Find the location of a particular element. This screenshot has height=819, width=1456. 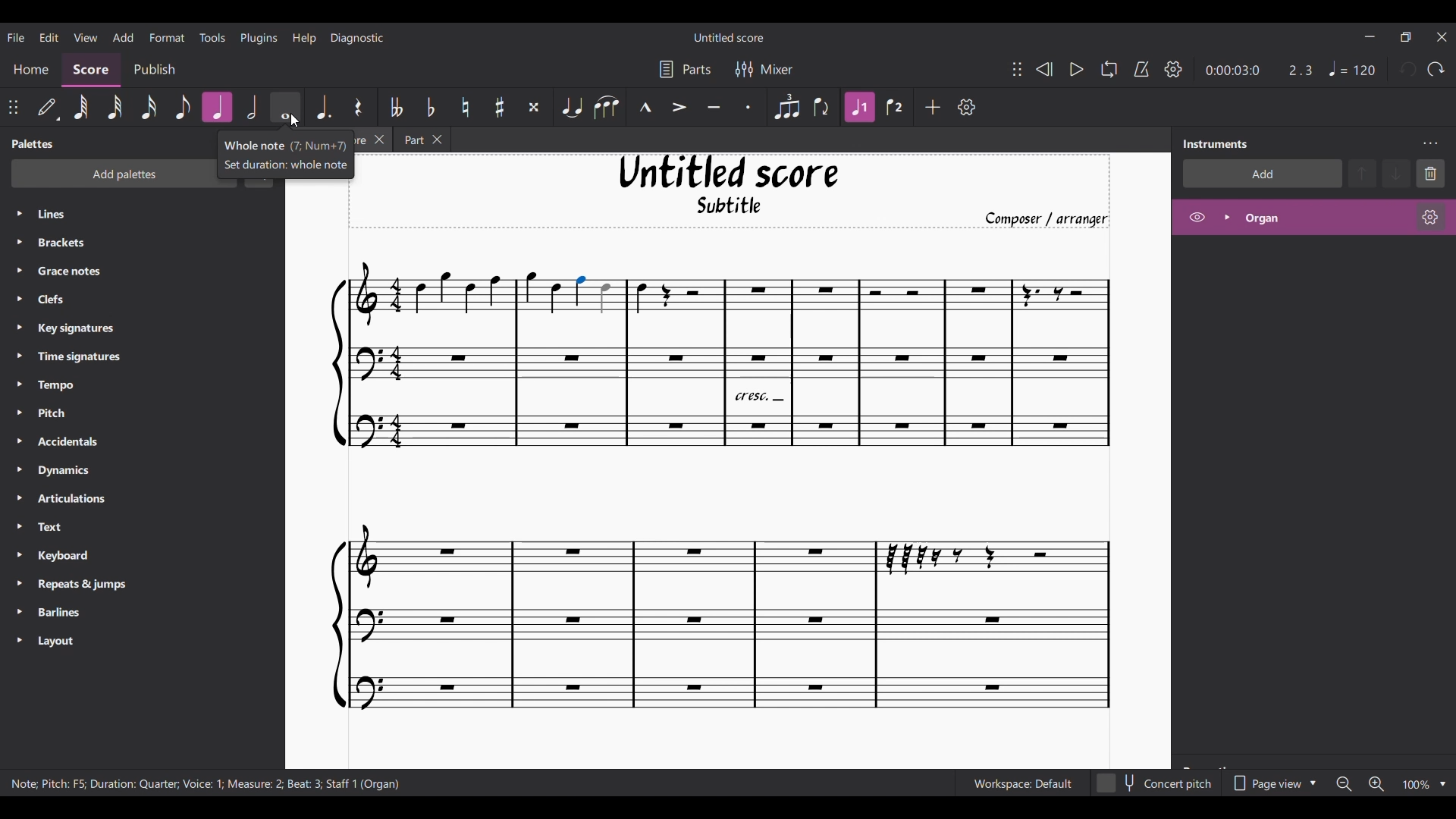

Tools menu is located at coordinates (212, 36).